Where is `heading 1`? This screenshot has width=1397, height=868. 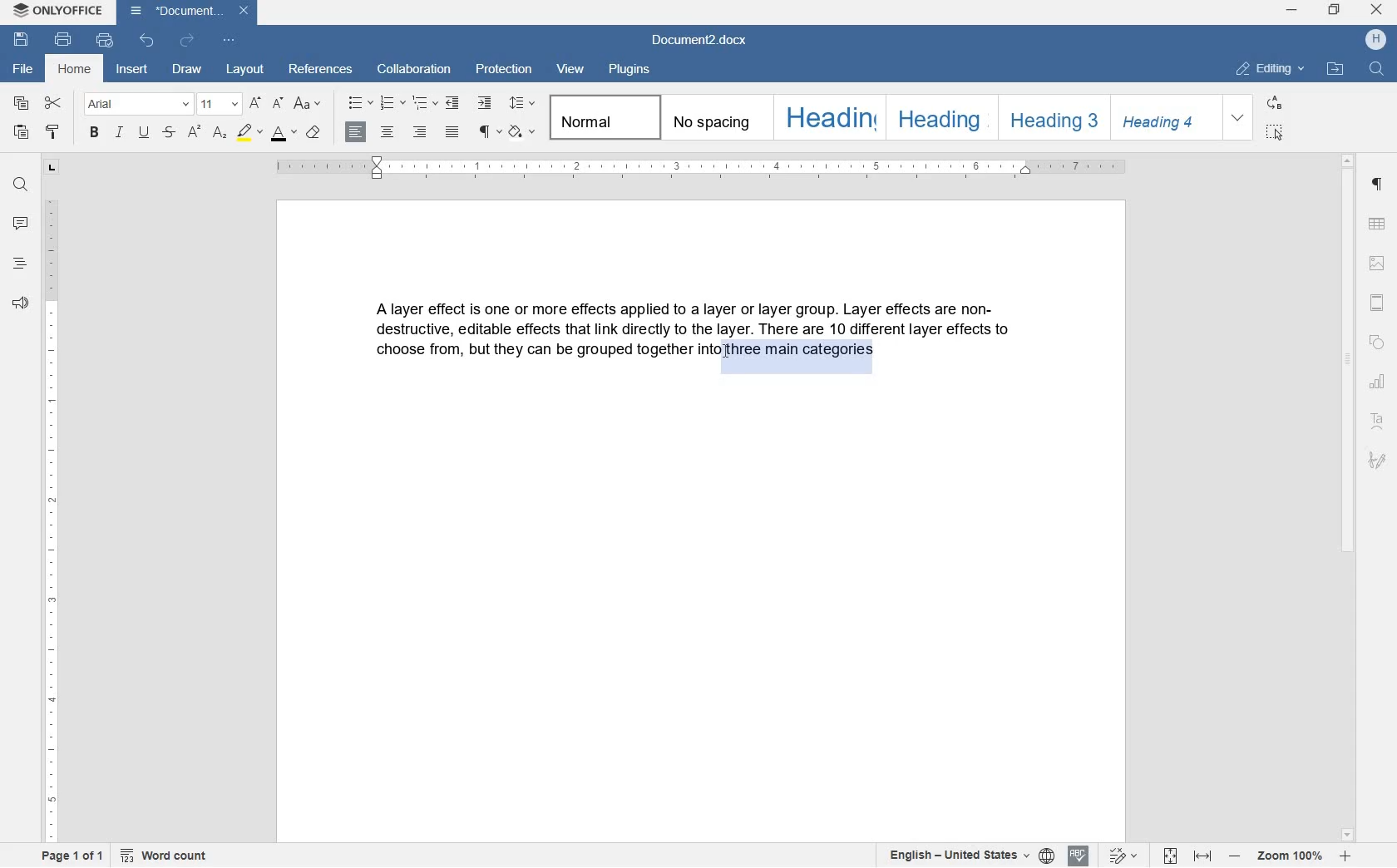
heading 1 is located at coordinates (827, 118).